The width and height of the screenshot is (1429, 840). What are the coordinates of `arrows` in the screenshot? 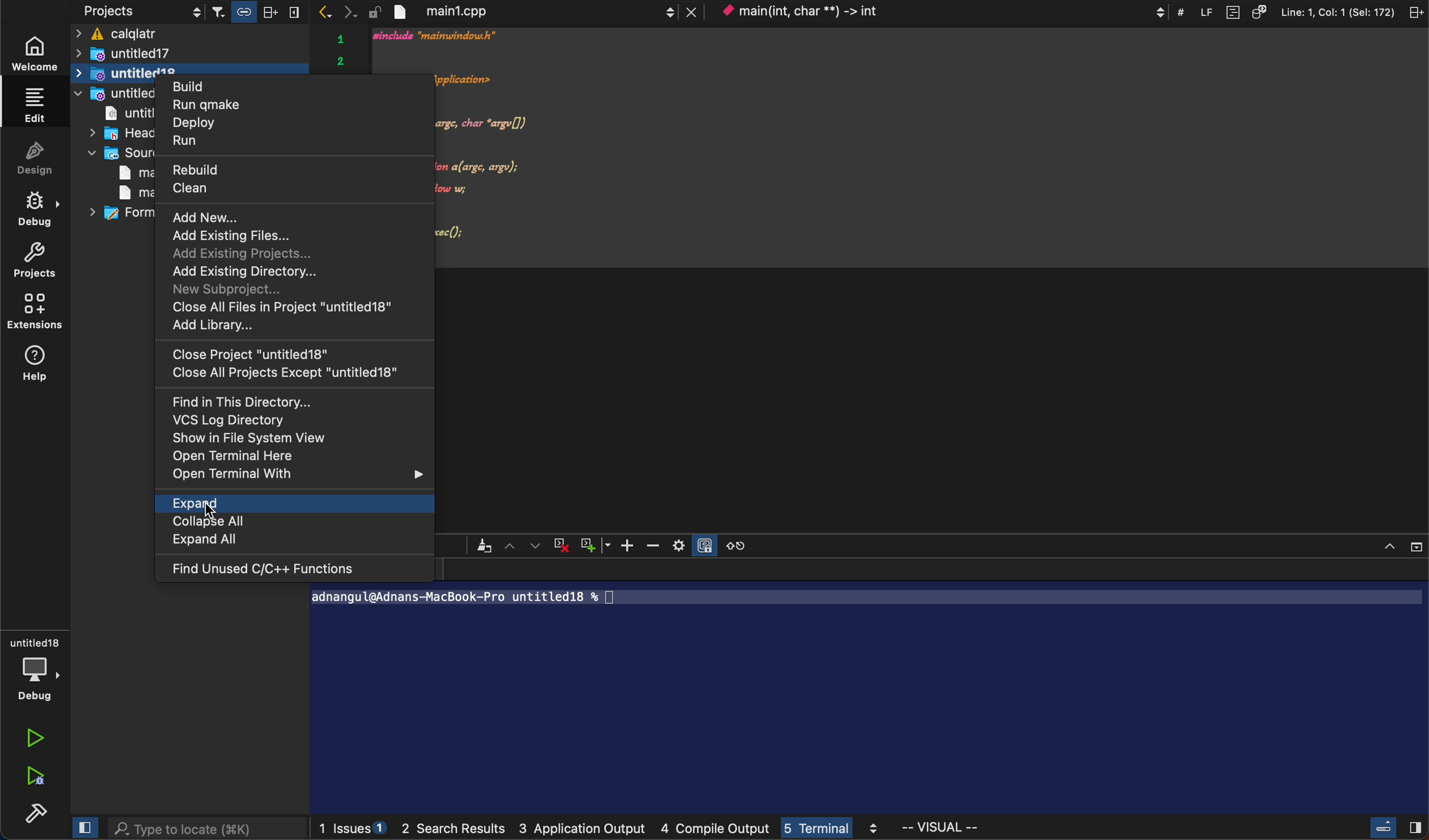 It's located at (525, 545).